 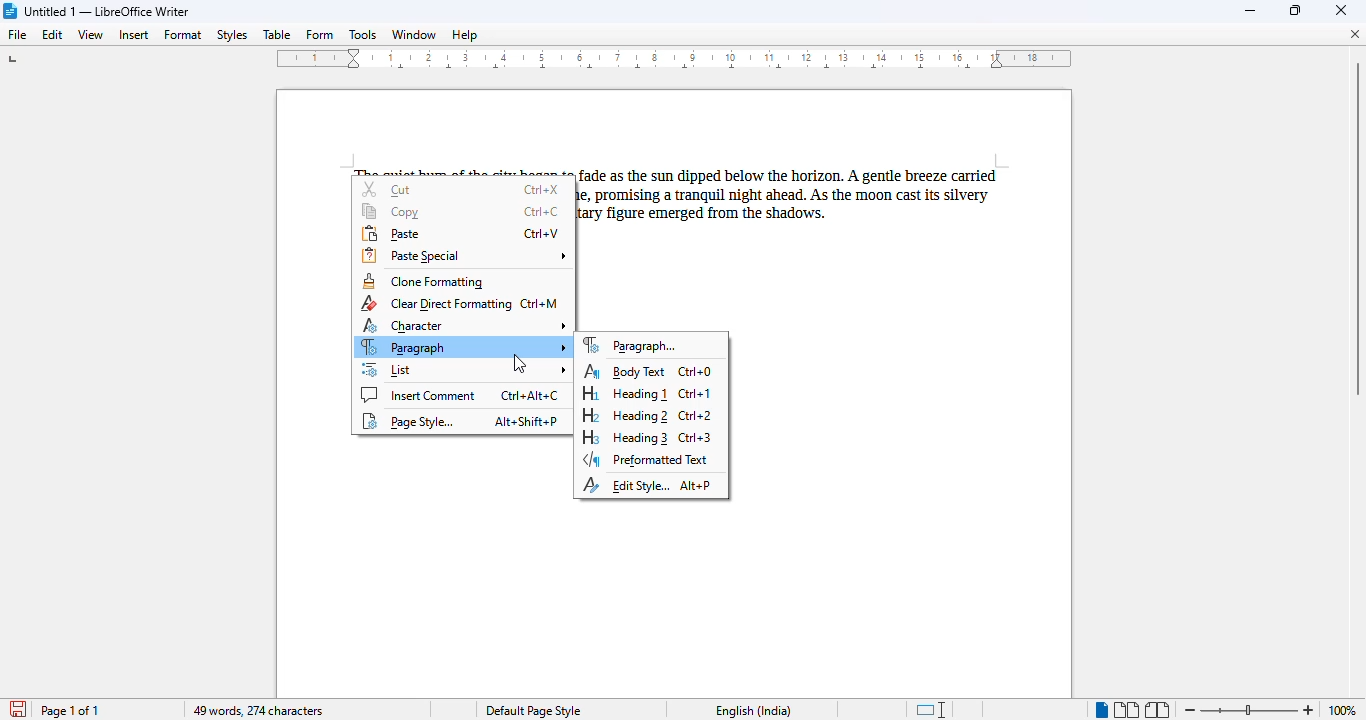 What do you see at coordinates (461, 211) in the screenshot?
I see `copy` at bounding box center [461, 211].